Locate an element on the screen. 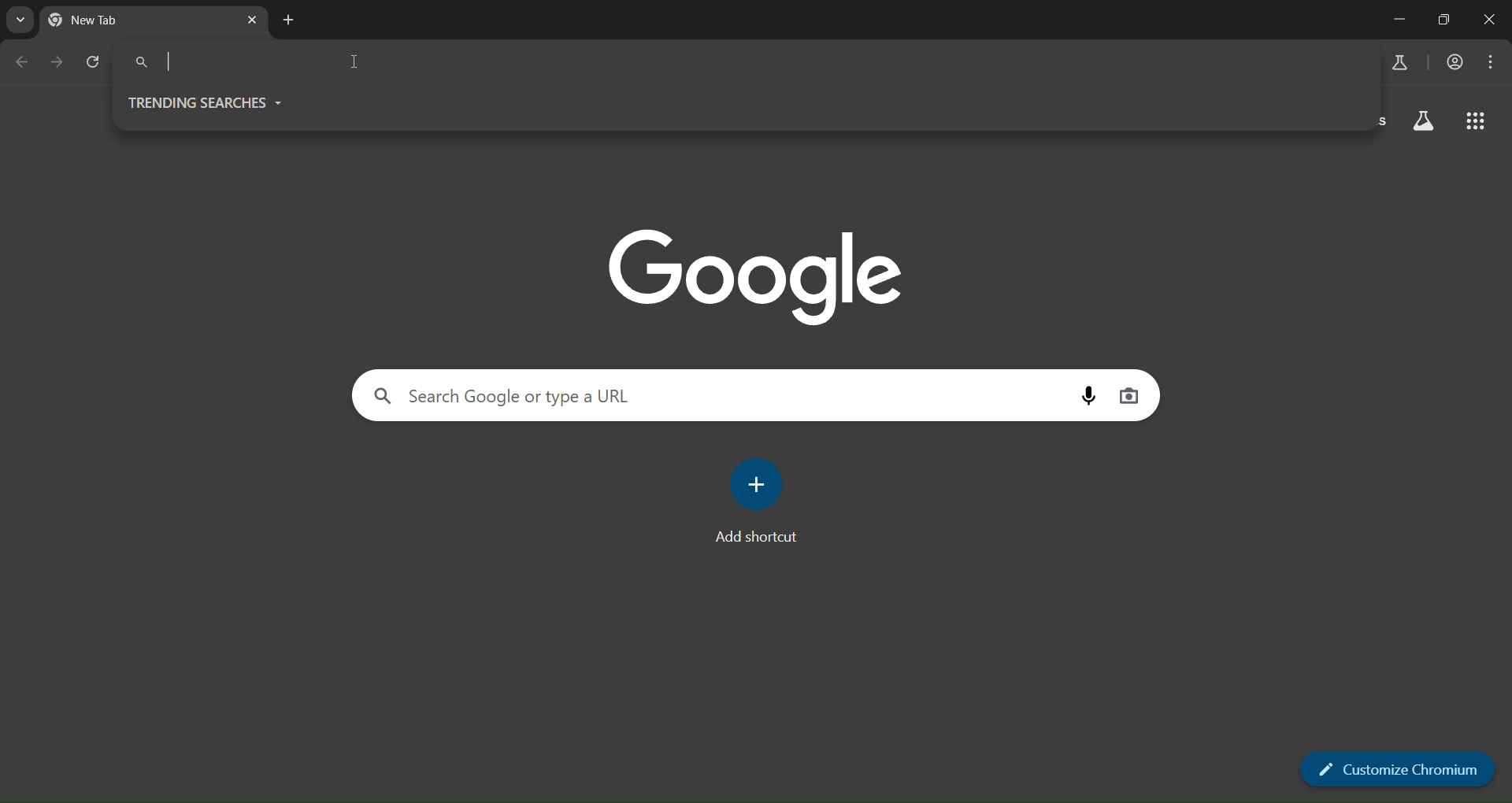 Image resolution: width=1512 pixels, height=803 pixels. cursor is located at coordinates (358, 60).